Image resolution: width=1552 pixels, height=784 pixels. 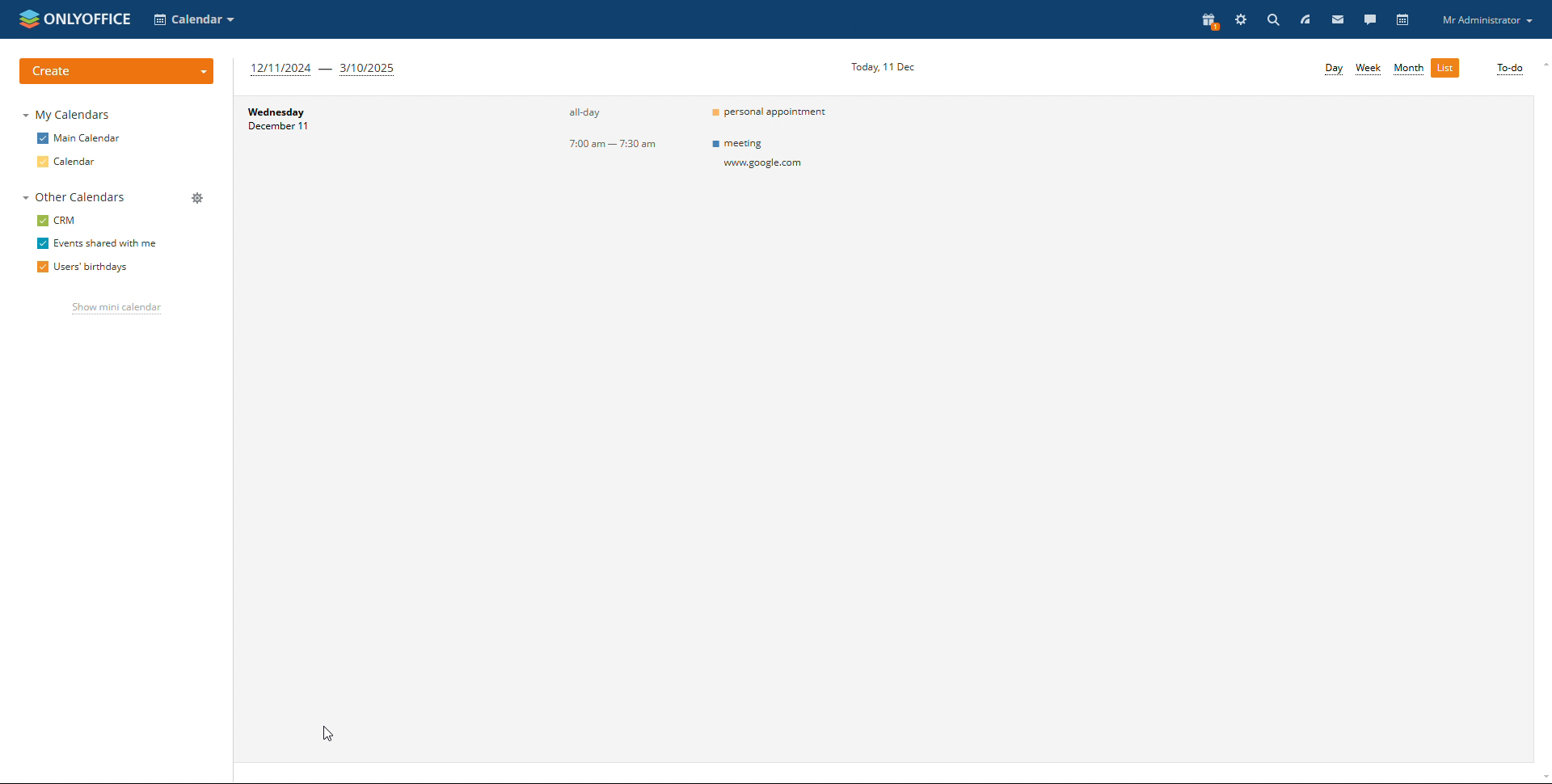 What do you see at coordinates (775, 112) in the screenshot?
I see `personal` at bounding box center [775, 112].